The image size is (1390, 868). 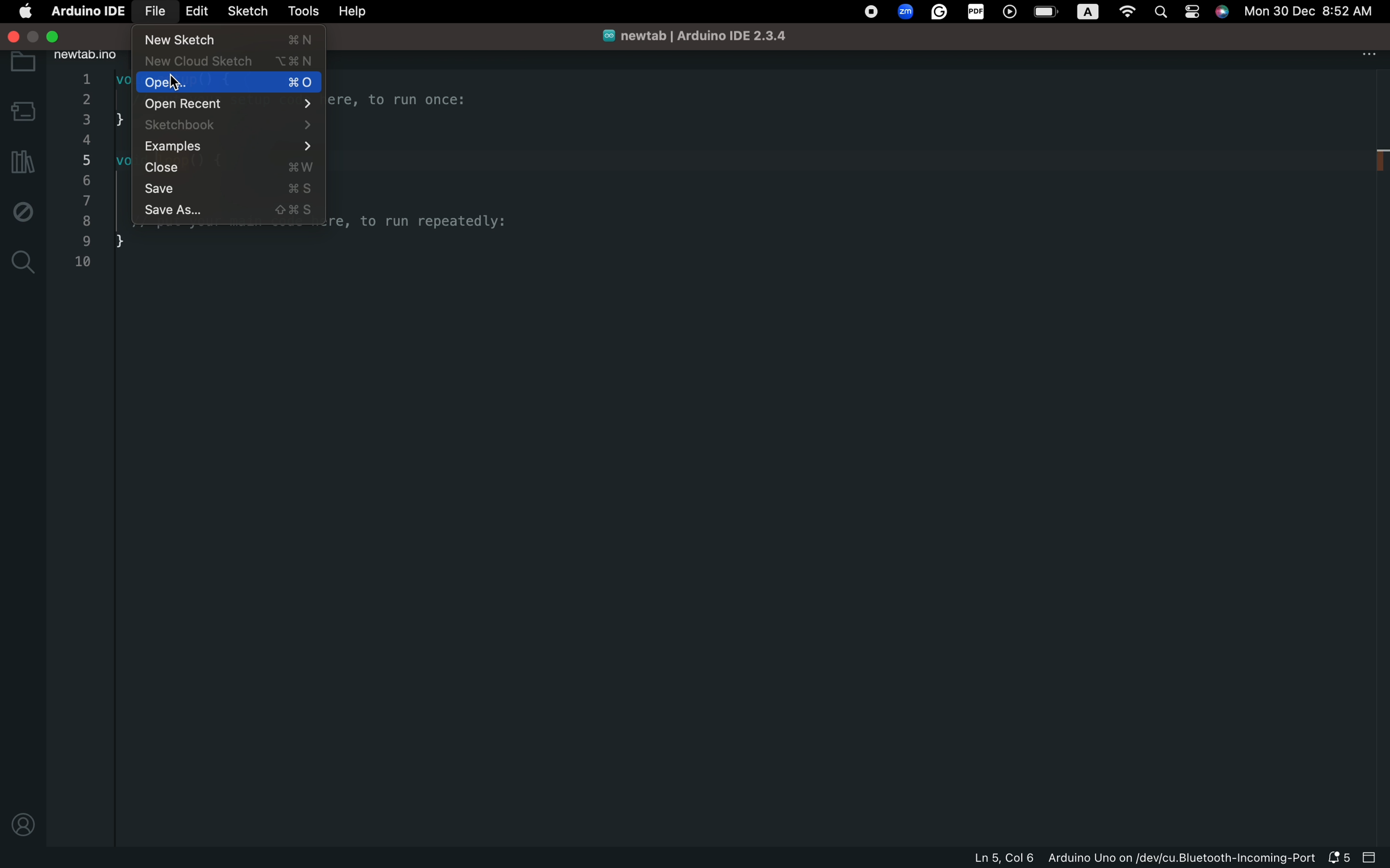 I want to click on arduino, so click(x=86, y=12).